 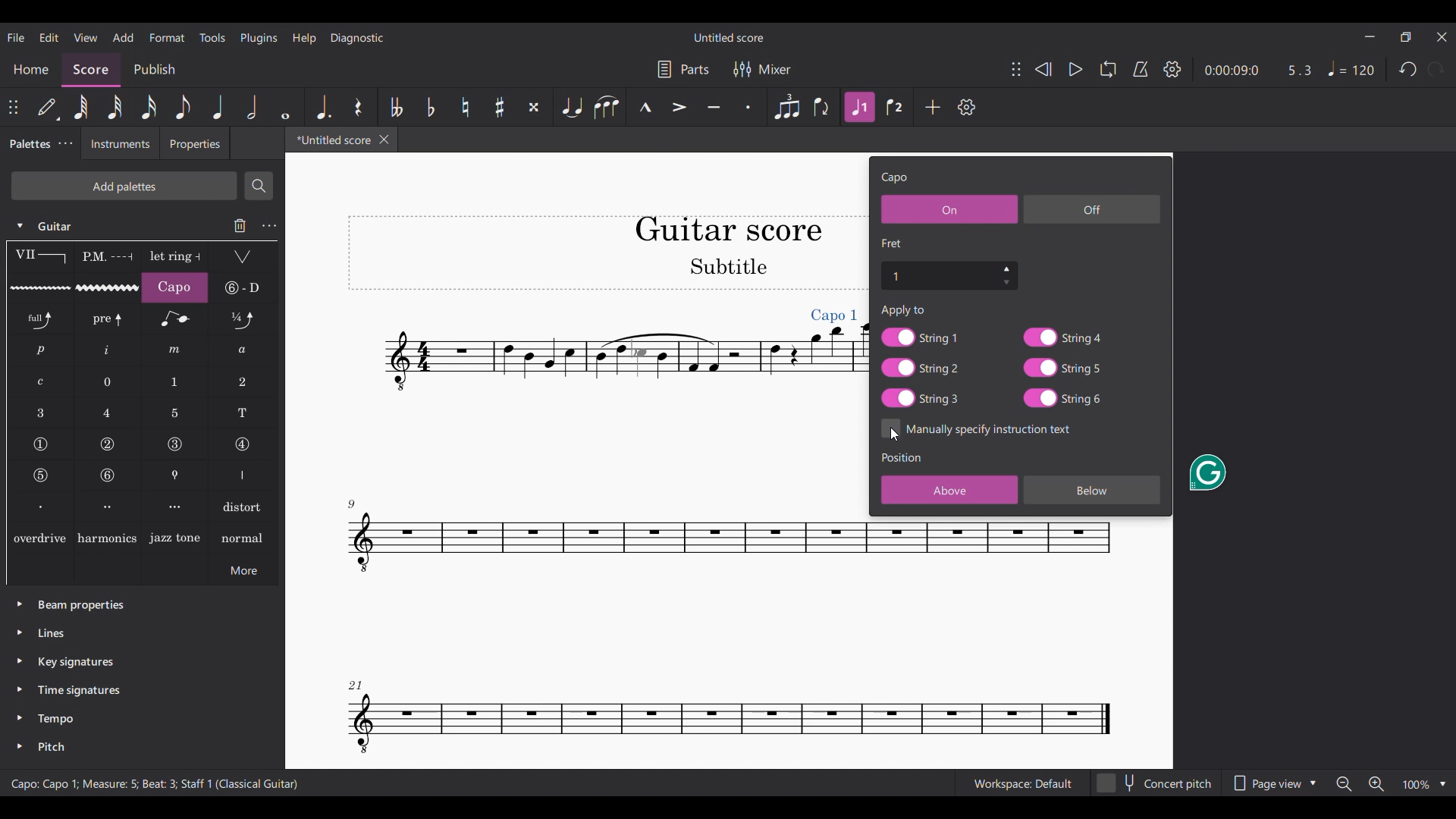 I want to click on Section title, so click(x=893, y=243).